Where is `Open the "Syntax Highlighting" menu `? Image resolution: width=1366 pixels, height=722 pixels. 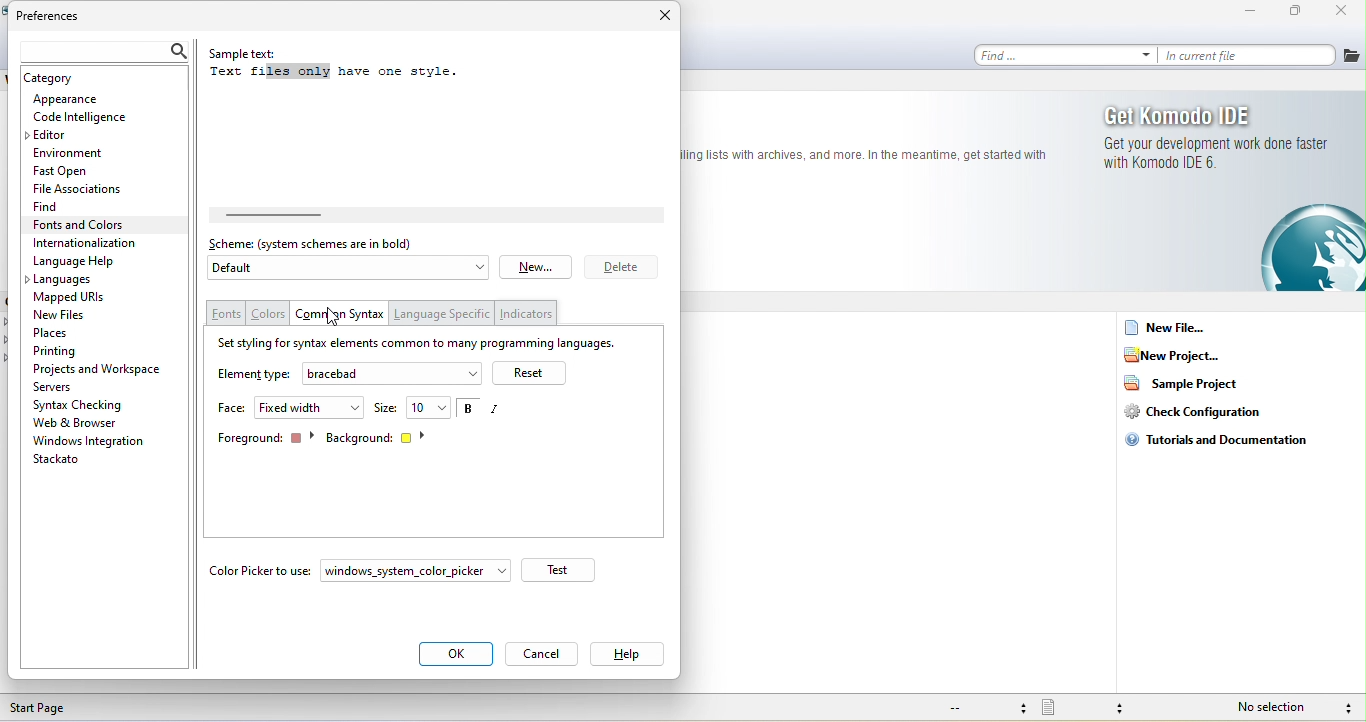 Open the "Syntax Highlighting" menu  is located at coordinates (343, 312).